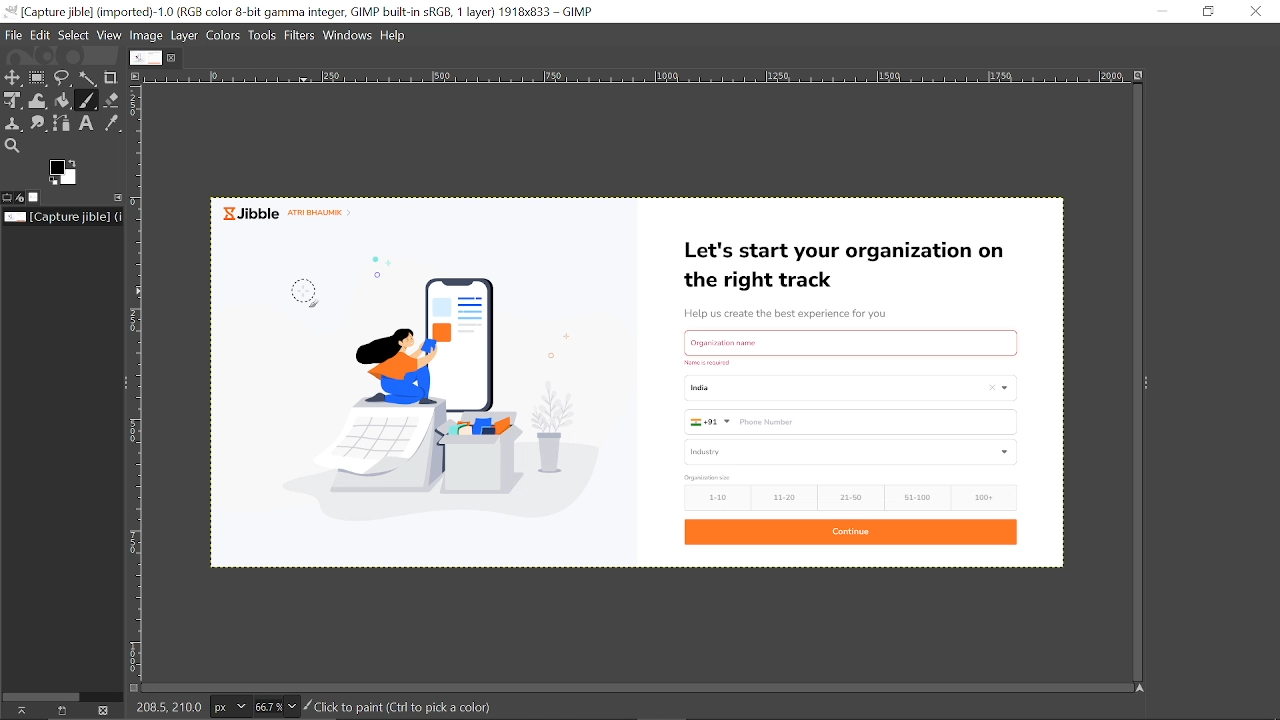  Describe the element at coordinates (88, 124) in the screenshot. I see `text tool ` at that location.